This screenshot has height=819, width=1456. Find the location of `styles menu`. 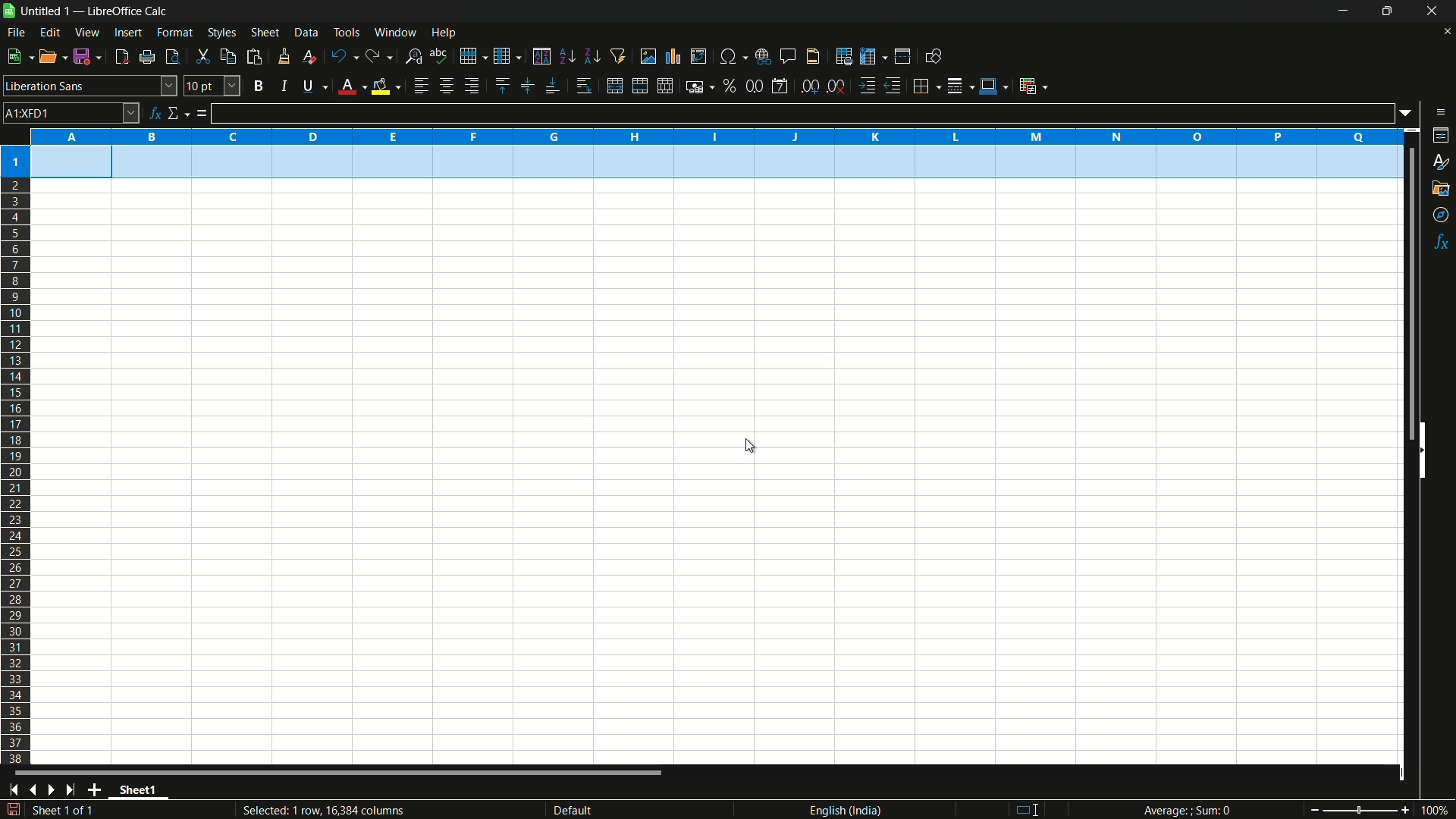

styles menu is located at coordinates (222, 33).